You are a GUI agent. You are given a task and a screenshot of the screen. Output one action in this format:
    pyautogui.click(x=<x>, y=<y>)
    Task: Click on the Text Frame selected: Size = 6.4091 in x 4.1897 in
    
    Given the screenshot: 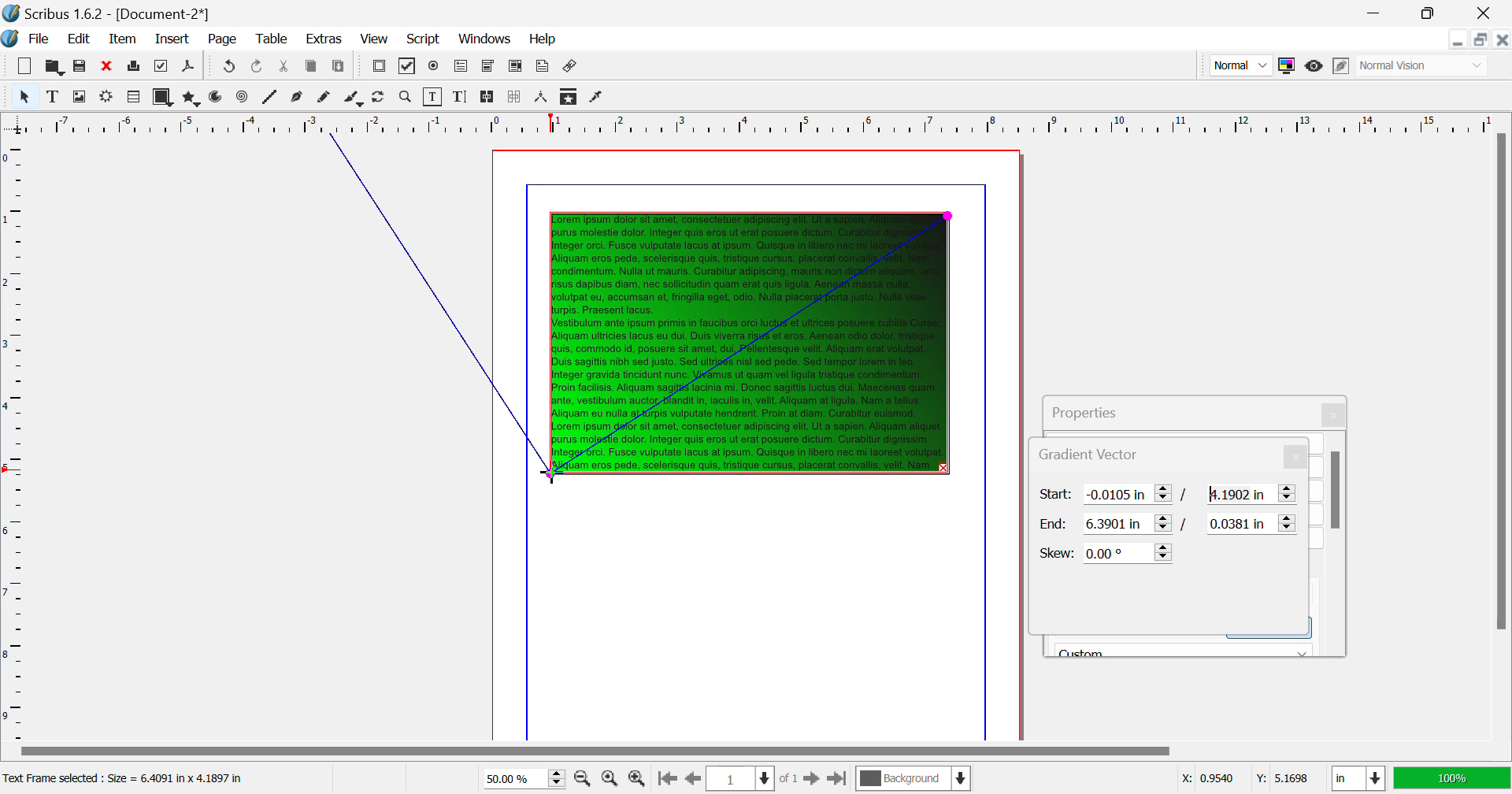 What is the action you would take?
    pyautogui.click(x=127, y=779)
    